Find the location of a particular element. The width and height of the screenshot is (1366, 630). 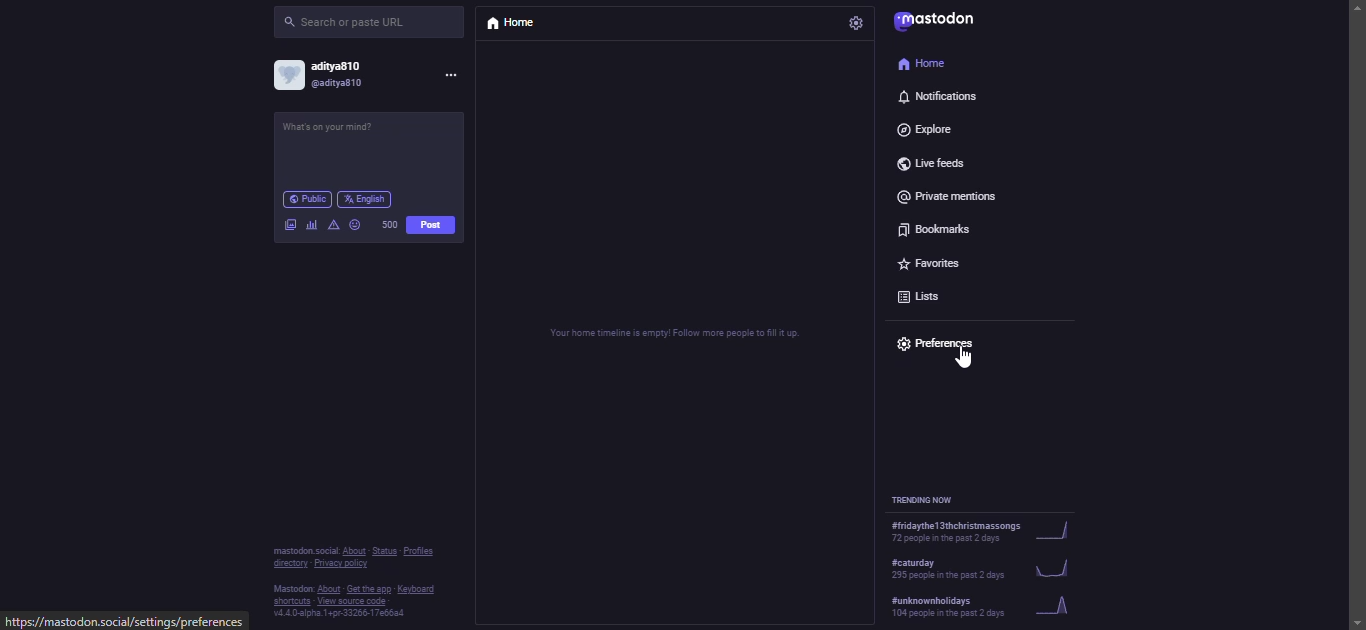

scroll bar is located at coordinates (1358, 295).